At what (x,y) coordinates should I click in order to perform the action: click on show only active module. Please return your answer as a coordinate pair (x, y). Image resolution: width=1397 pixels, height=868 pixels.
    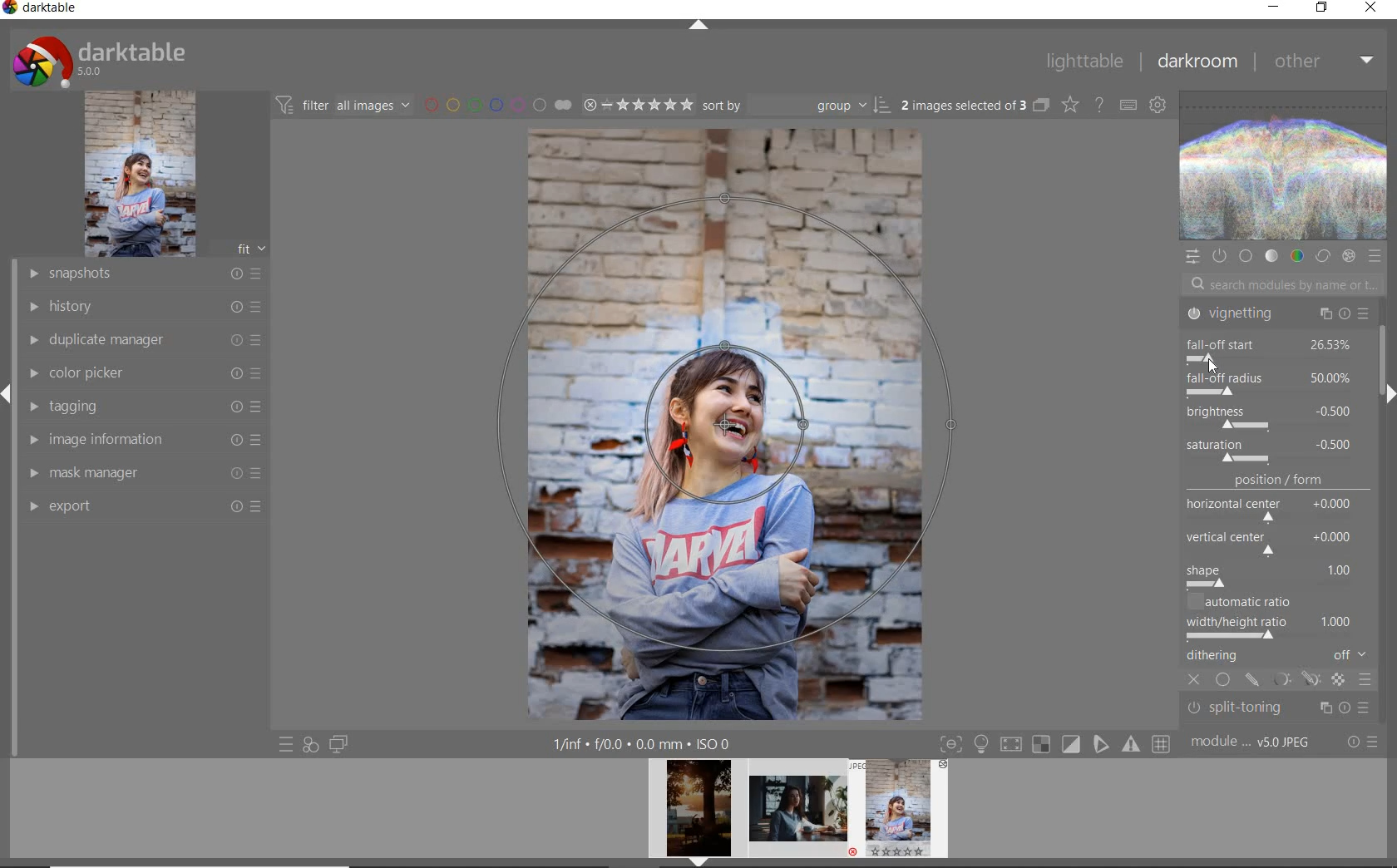
    Looking at the image, I should click on (1218, 256).